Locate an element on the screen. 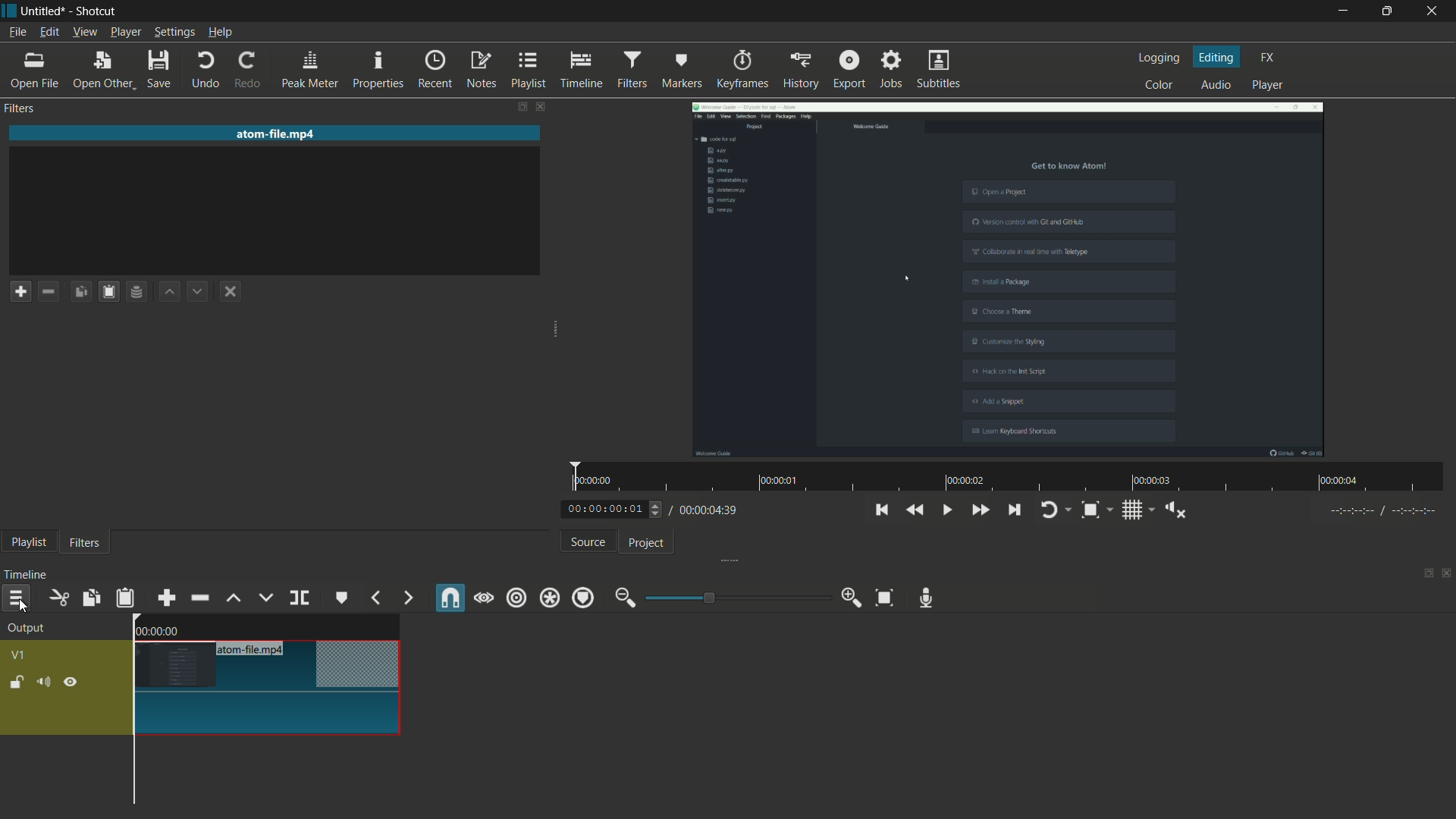 Image resolution: width=1456 pixels, height=819 pixels. save filter set is located at coordinates (137, 291).